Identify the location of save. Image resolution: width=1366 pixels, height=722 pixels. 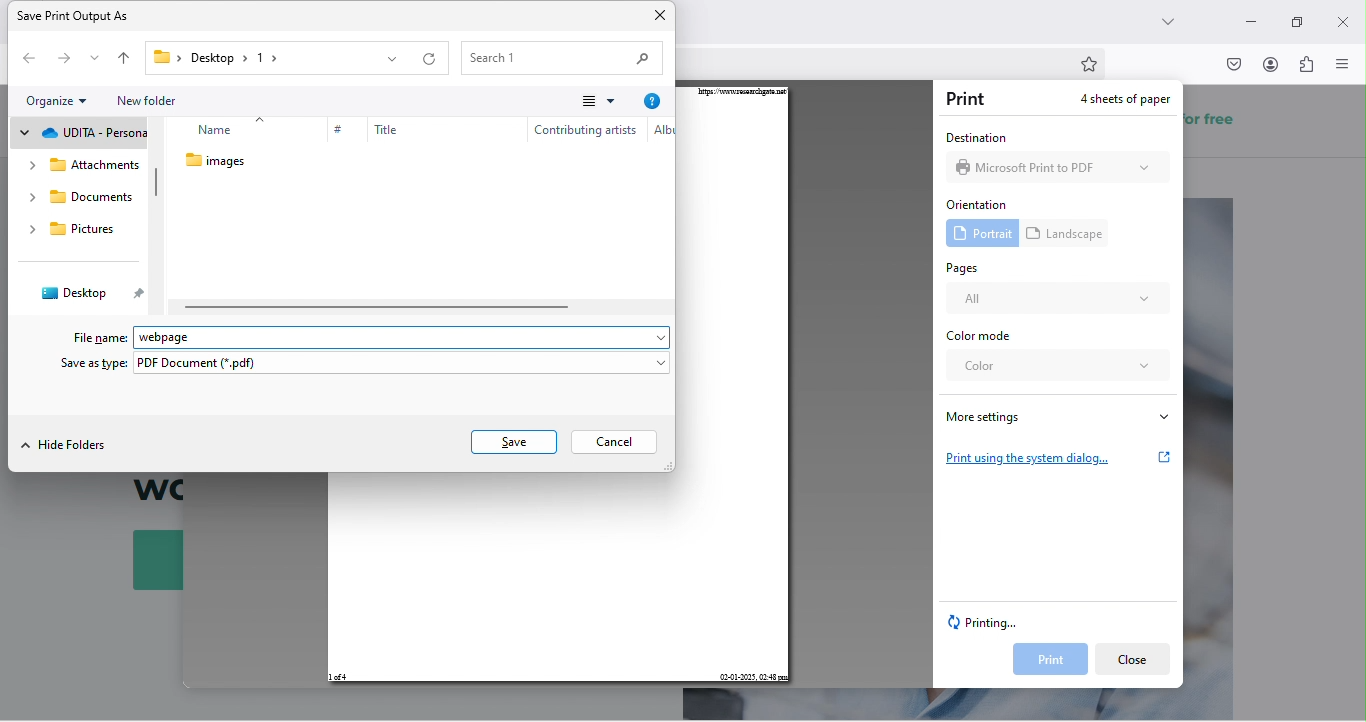
(513, 440).